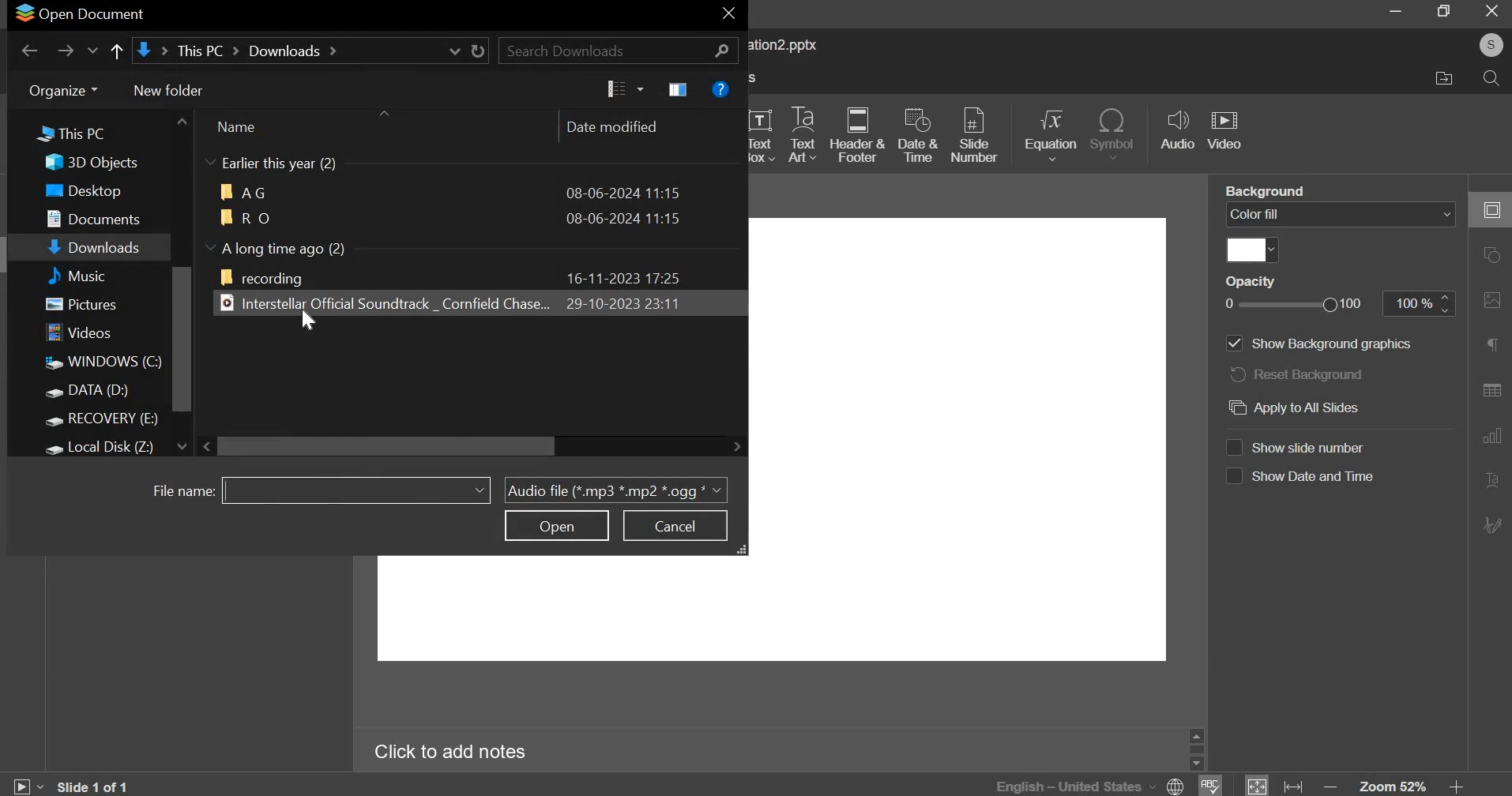 The image size is (1512, 796). Describe the element at coordinates (1196, 749) in the screenshot. I see `scrollbar` at that location.